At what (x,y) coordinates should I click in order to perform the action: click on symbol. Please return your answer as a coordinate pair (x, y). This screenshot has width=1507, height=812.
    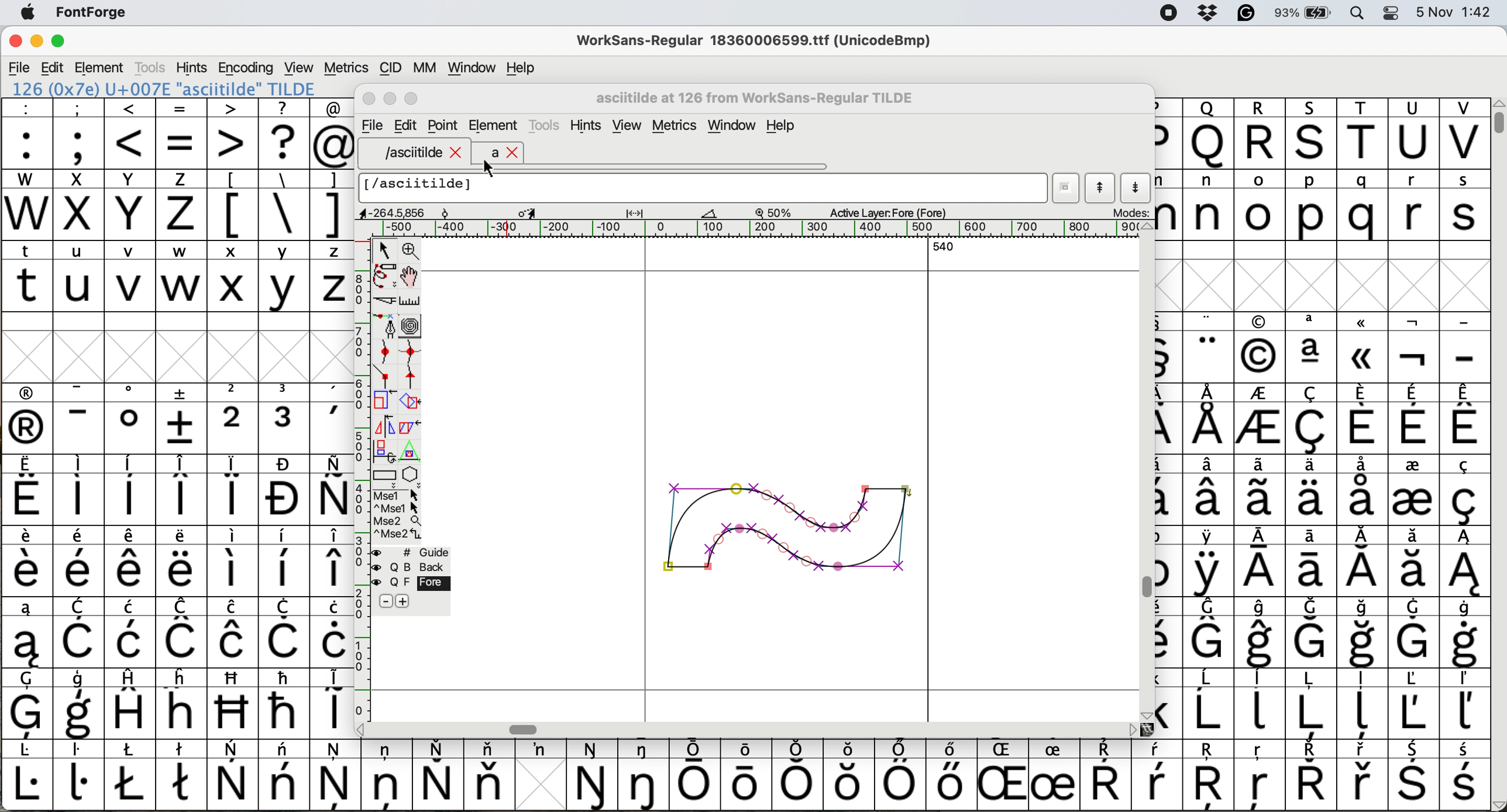
    Looking at the image, I should click on (80, 419).